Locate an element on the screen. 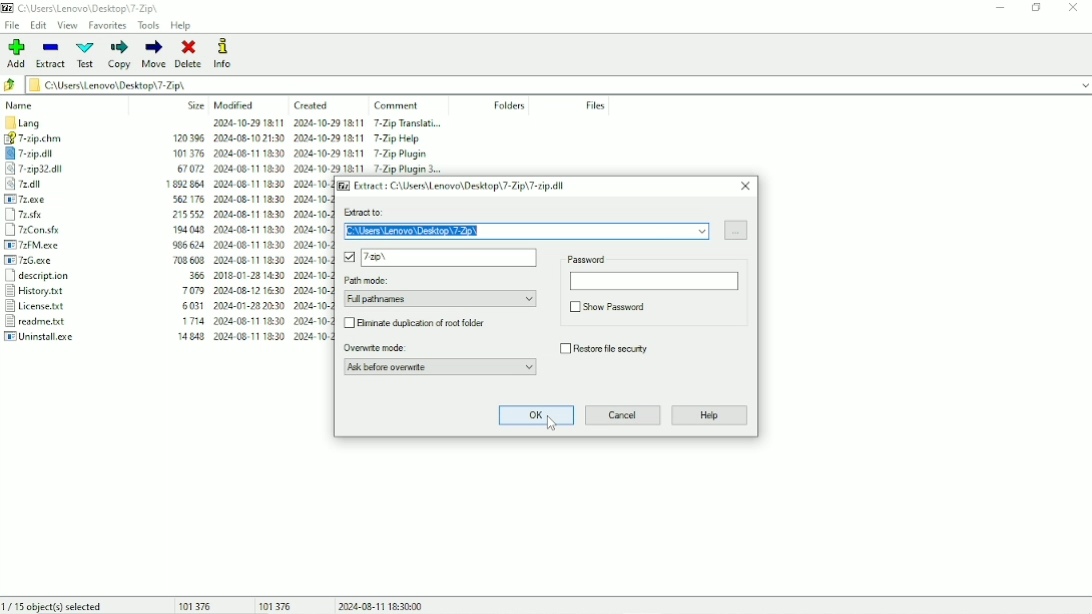 Image resolution: width=1092 pixels, height=614 pixels. 7zFM.exe is located at coordinates (67, 246).